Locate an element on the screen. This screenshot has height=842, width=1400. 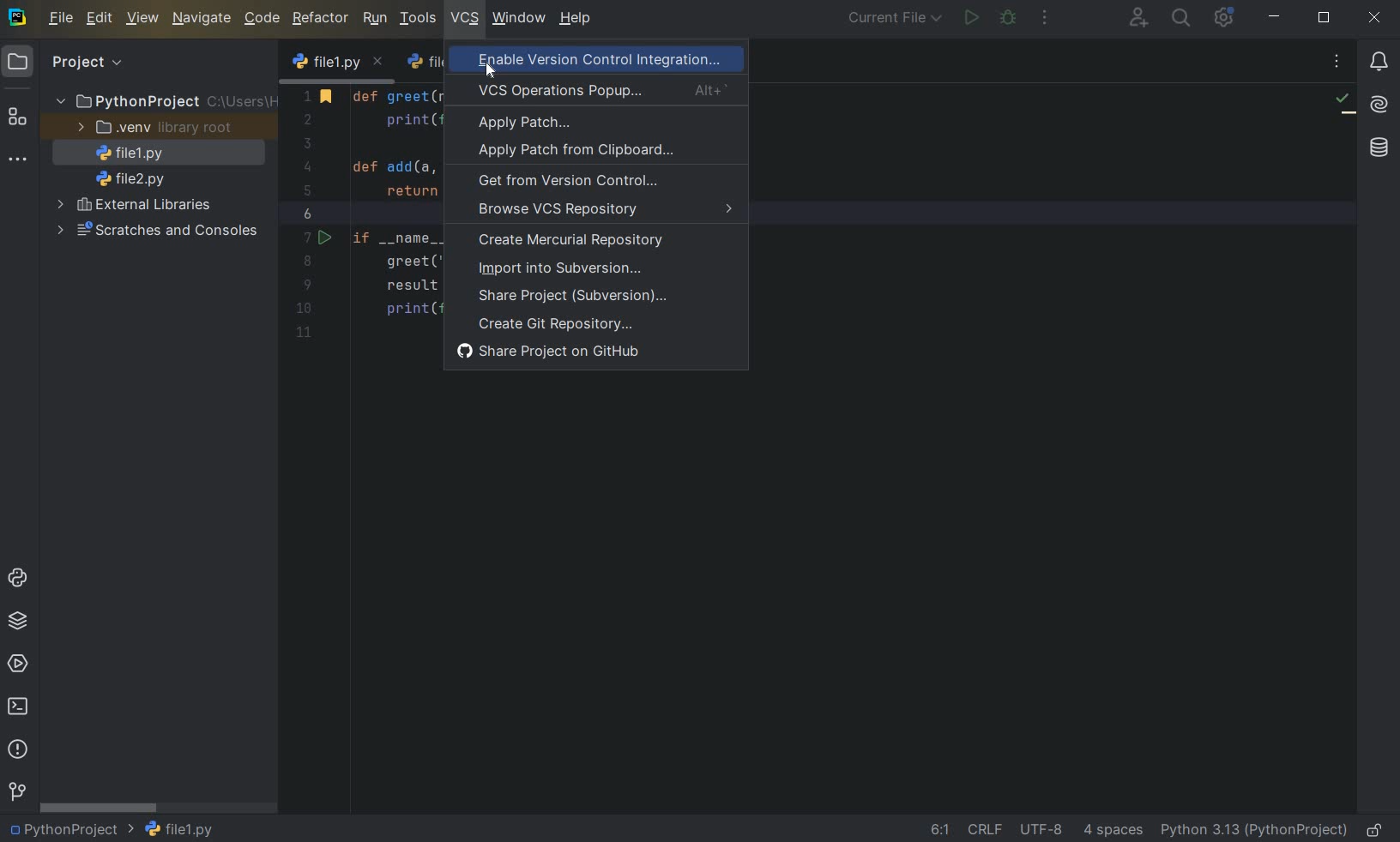
debug is located at coordinates (1009, 19).